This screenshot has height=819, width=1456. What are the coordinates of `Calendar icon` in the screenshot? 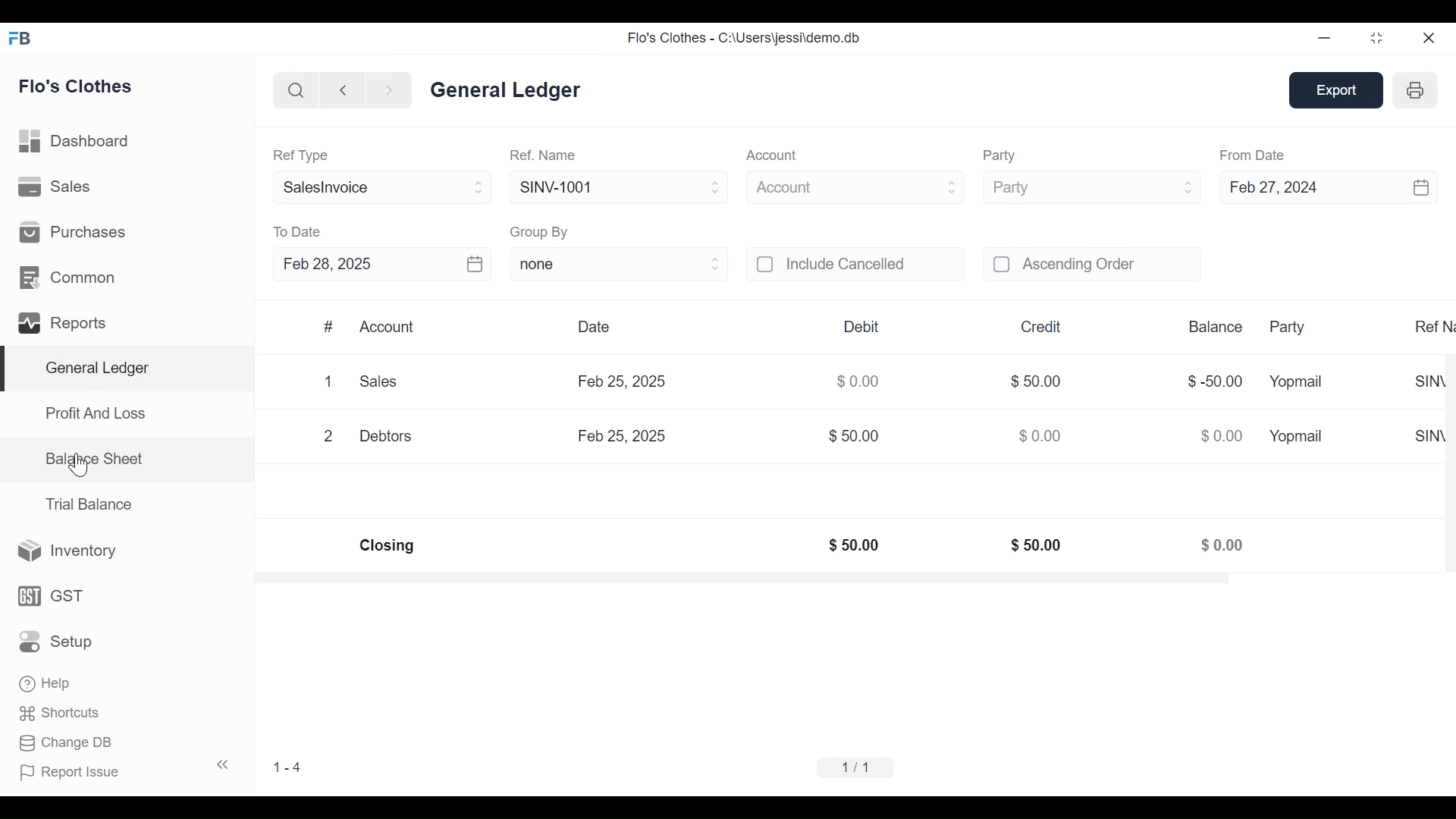 It's located at (473, 264).